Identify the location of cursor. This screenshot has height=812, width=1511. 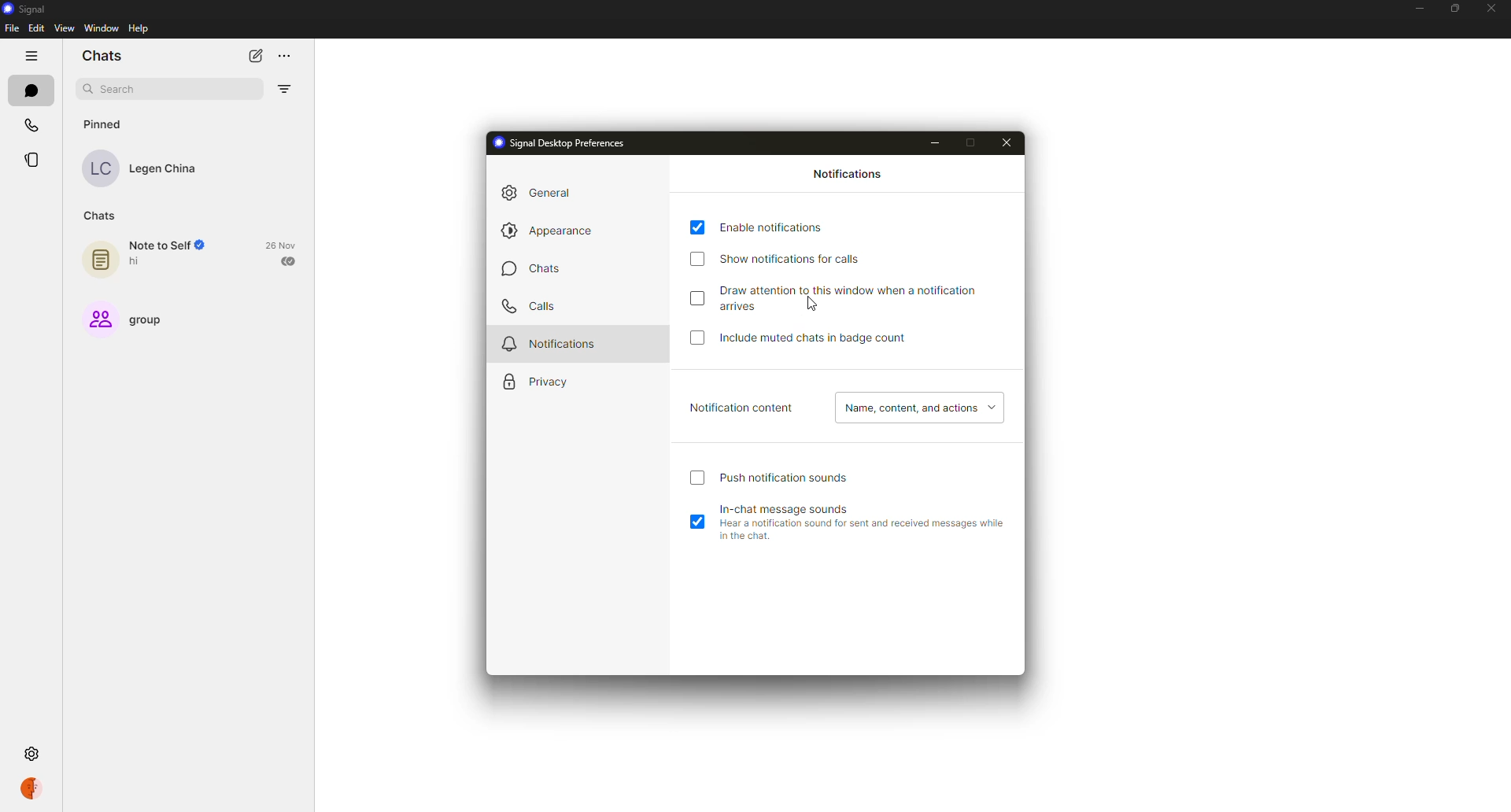
(815, 305).